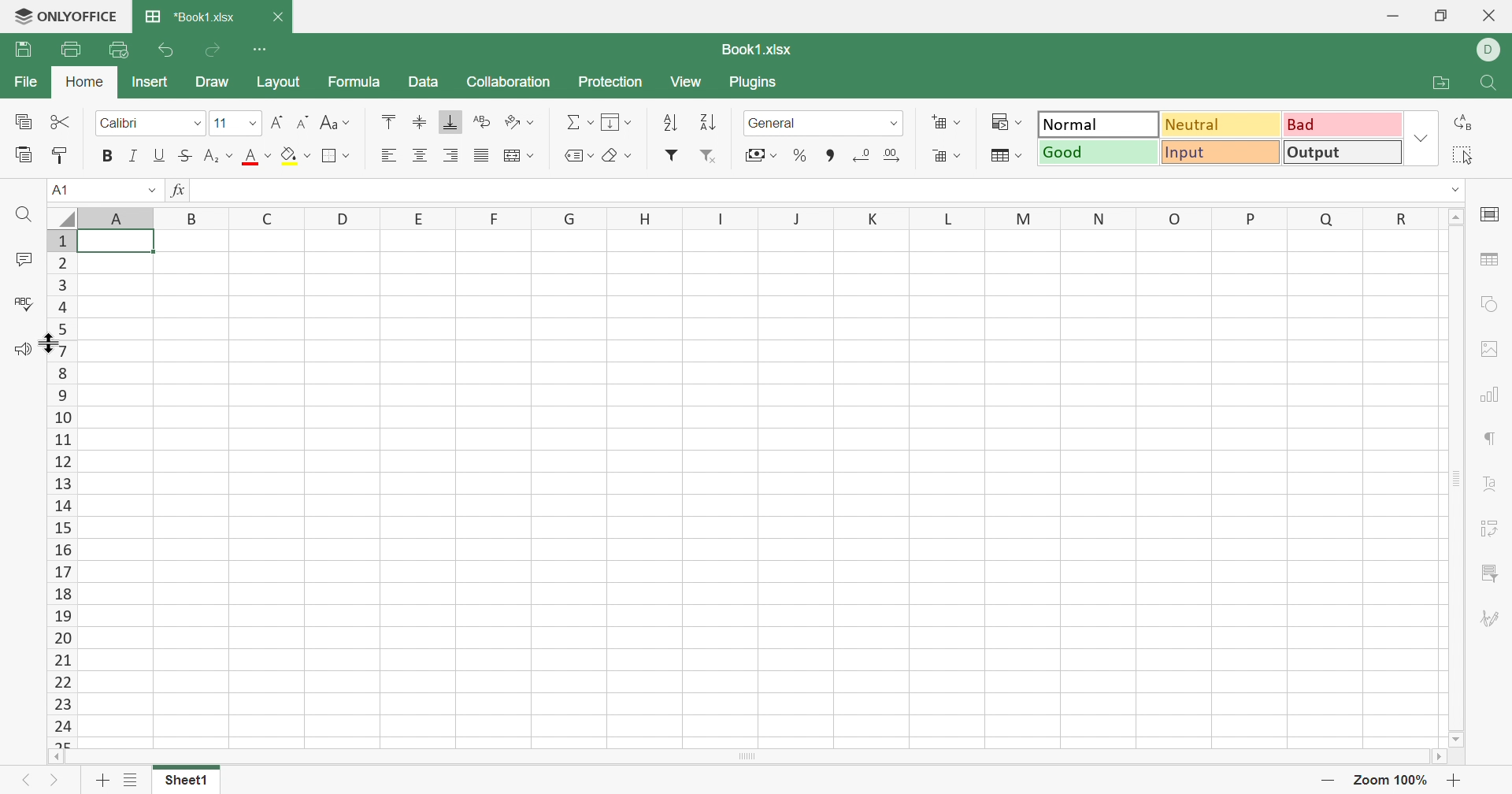 This screenshot has height=794, width=1512. Describe the element at coordinates (27, 304) in the screenshot. I see `Check Spelling` at that location.